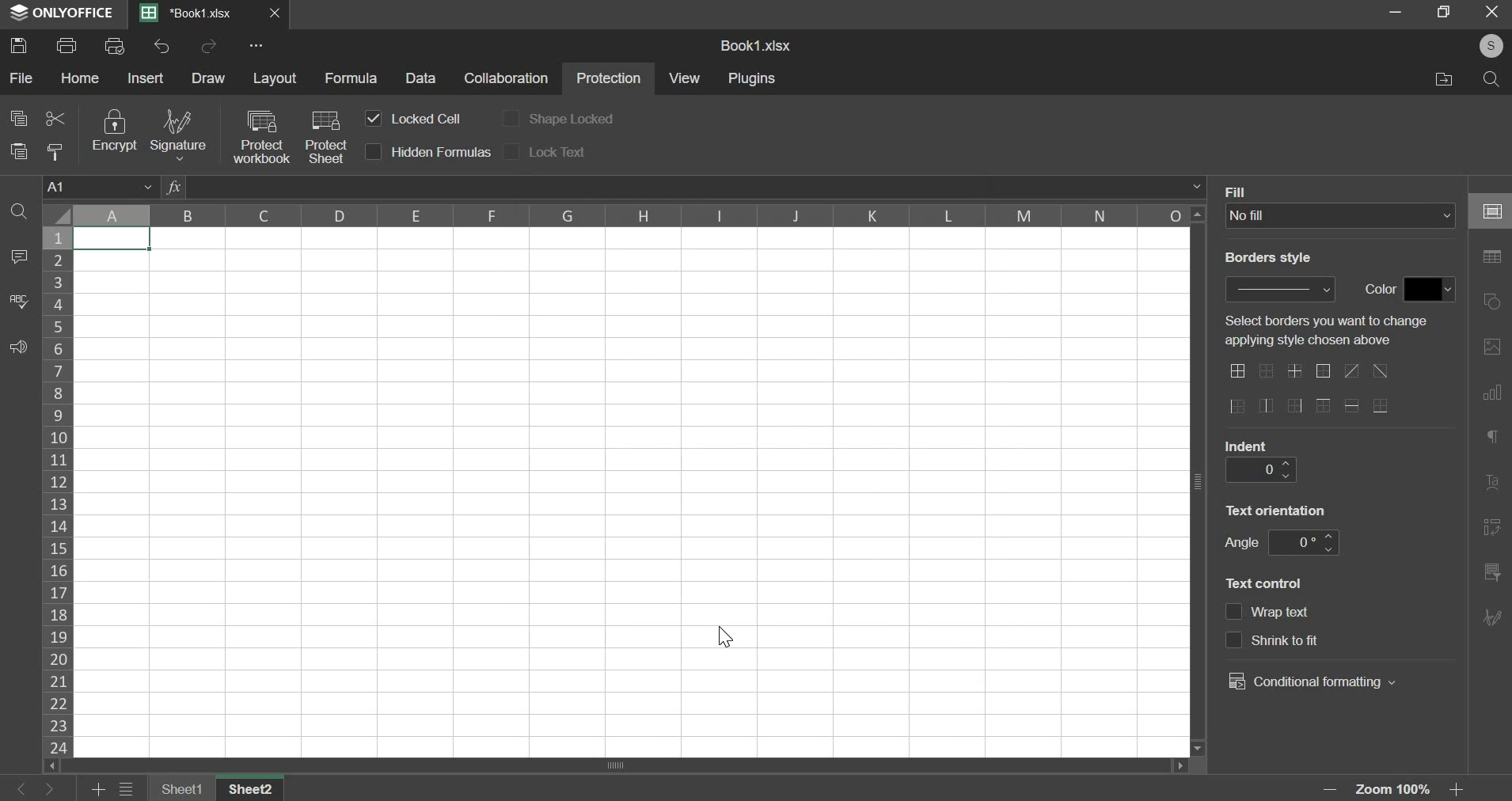 The width and height of the screenshot is (1512, 801). What do you see at coordinates (1233, 640) in the screenshot?
I see `checkbox` at bounding box center [1233, 640].